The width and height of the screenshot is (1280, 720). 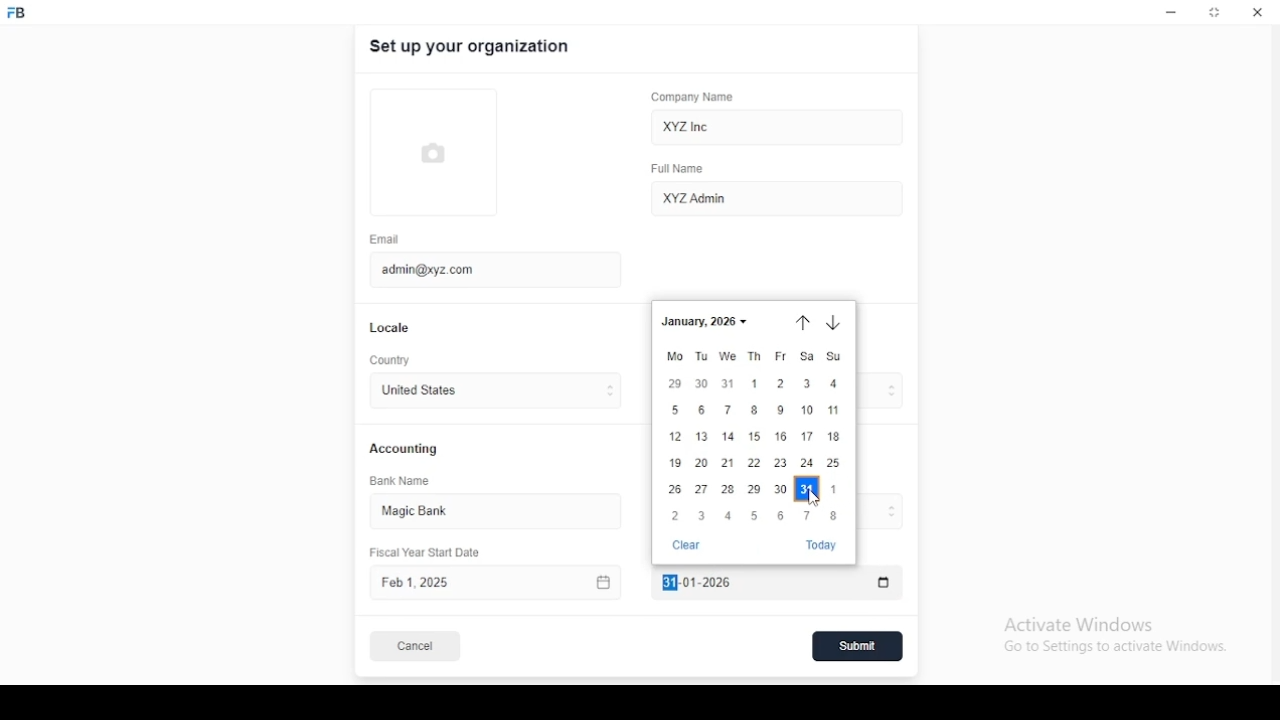 What do you see at coordinates (833, 410) in the screenshot?
I see `11` at bounding box center [833, 410].